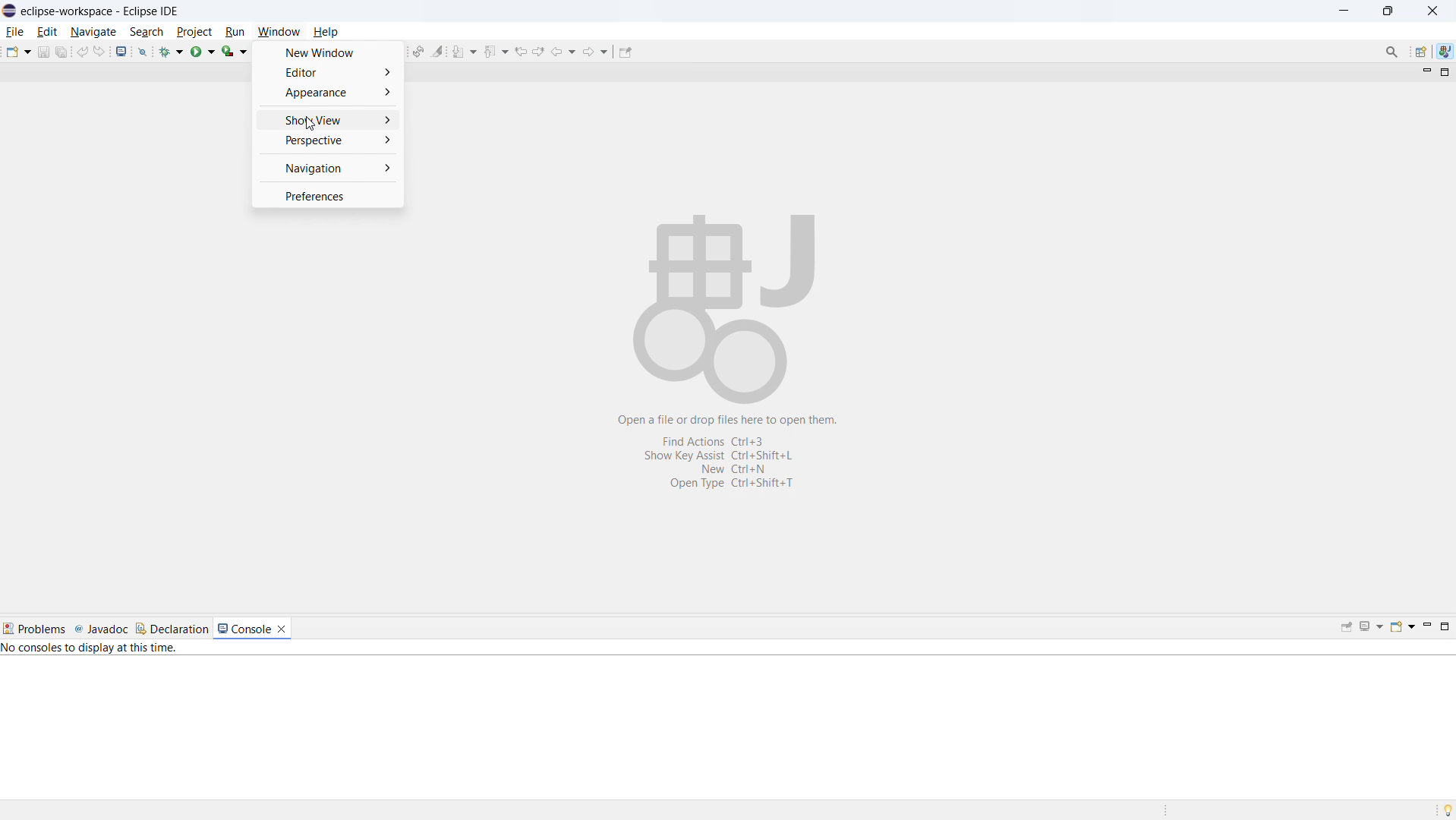 This screenshot has height=820, width=1456. I want to click on minimize, so click(1426, 628).